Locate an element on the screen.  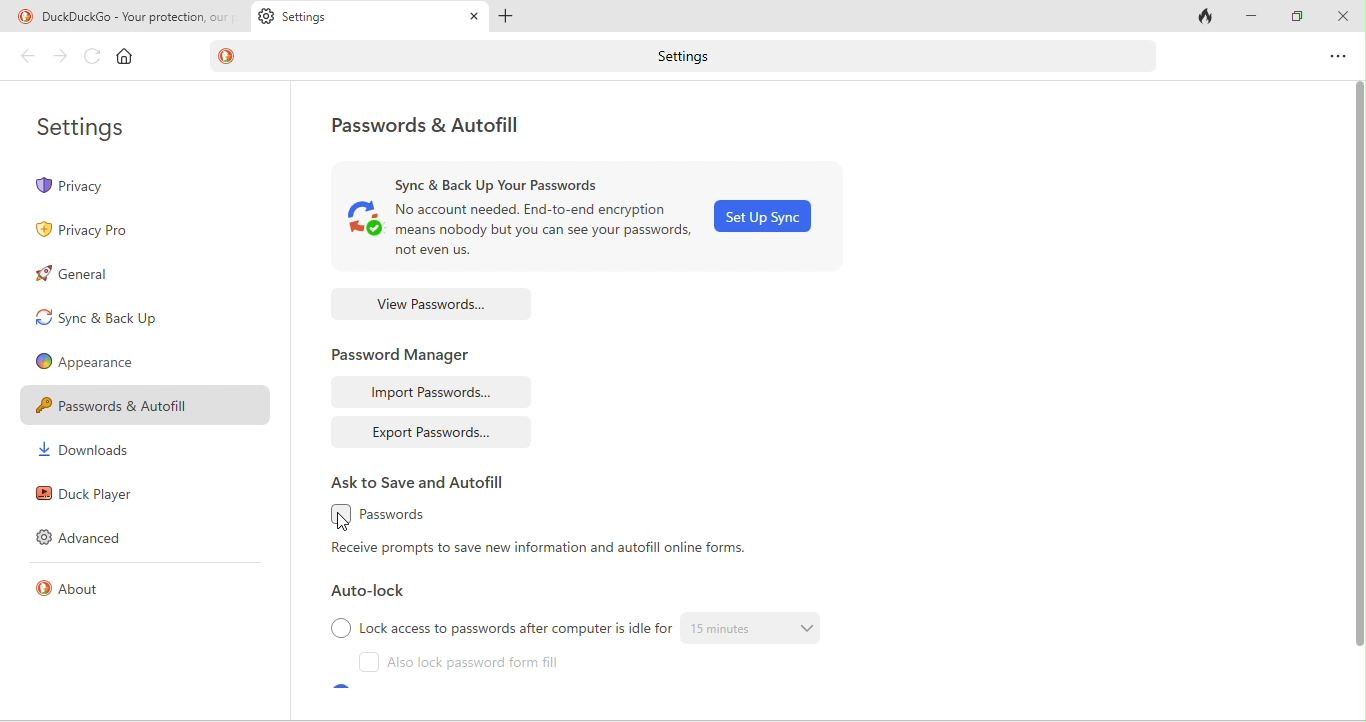
duckduck go logo is located at coordinates (234, 59).